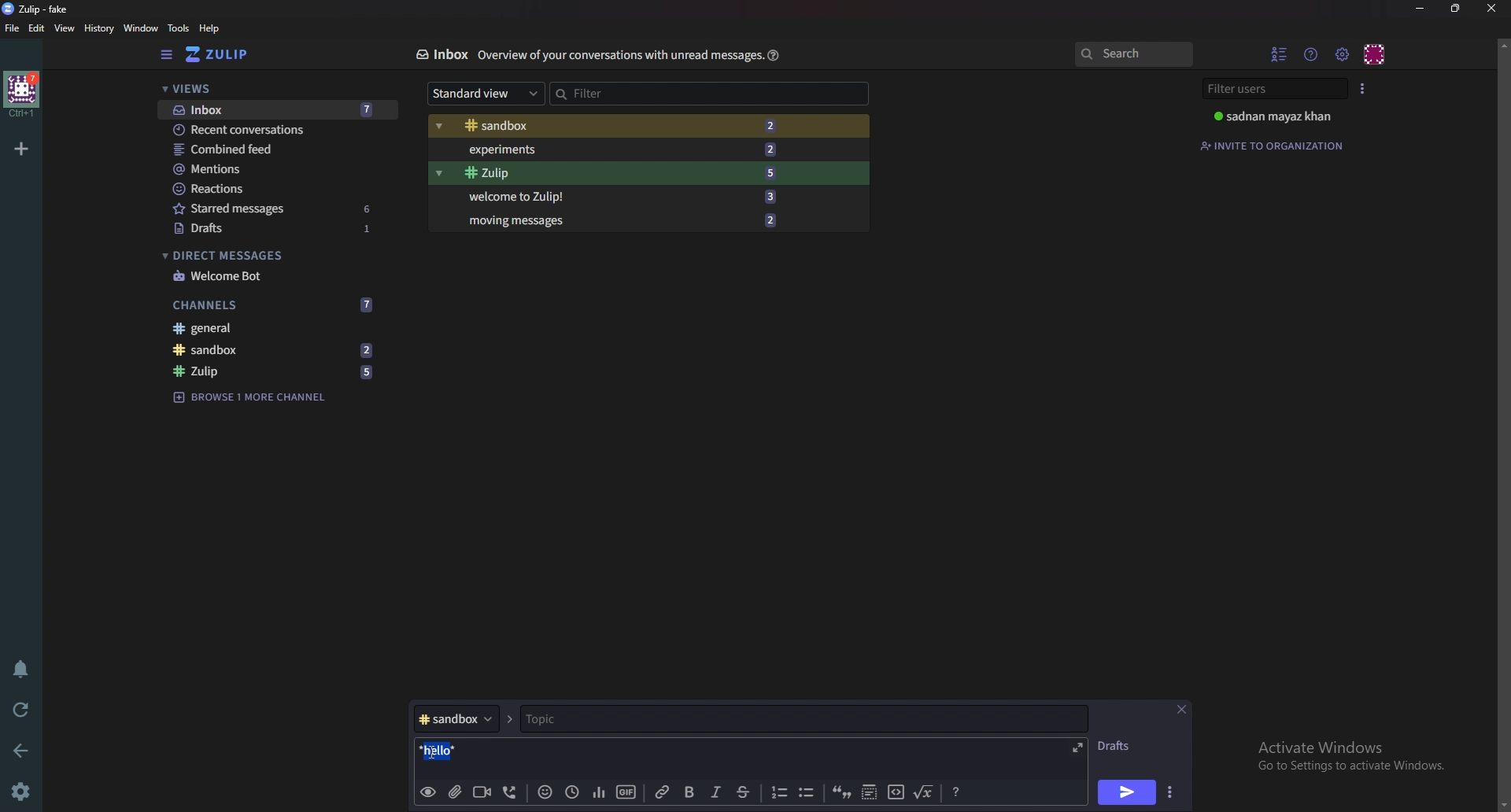  I want to click on Expand, so click(1081, 746).